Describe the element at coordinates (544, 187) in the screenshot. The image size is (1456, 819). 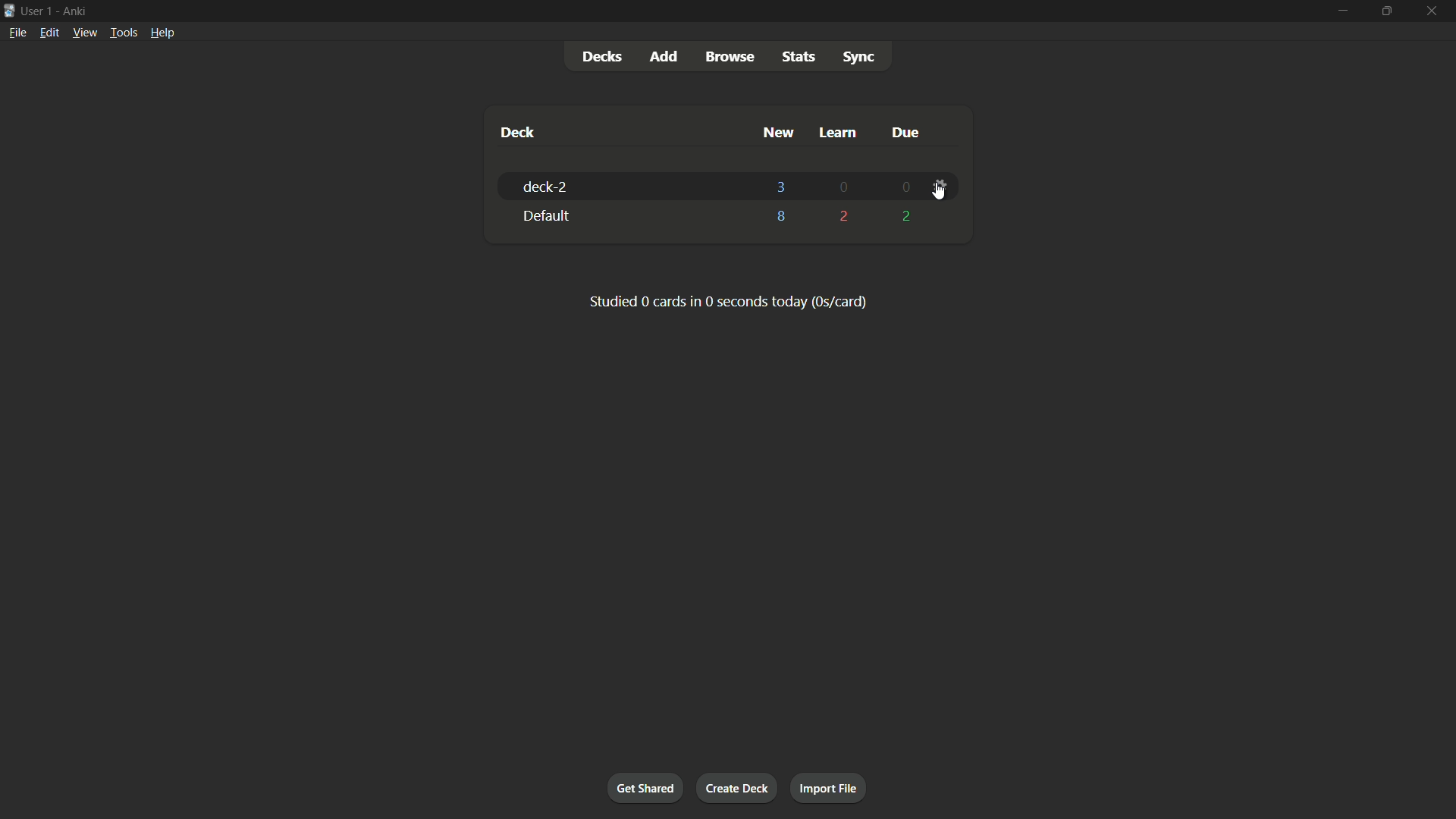
I see `deck-2` at that location.